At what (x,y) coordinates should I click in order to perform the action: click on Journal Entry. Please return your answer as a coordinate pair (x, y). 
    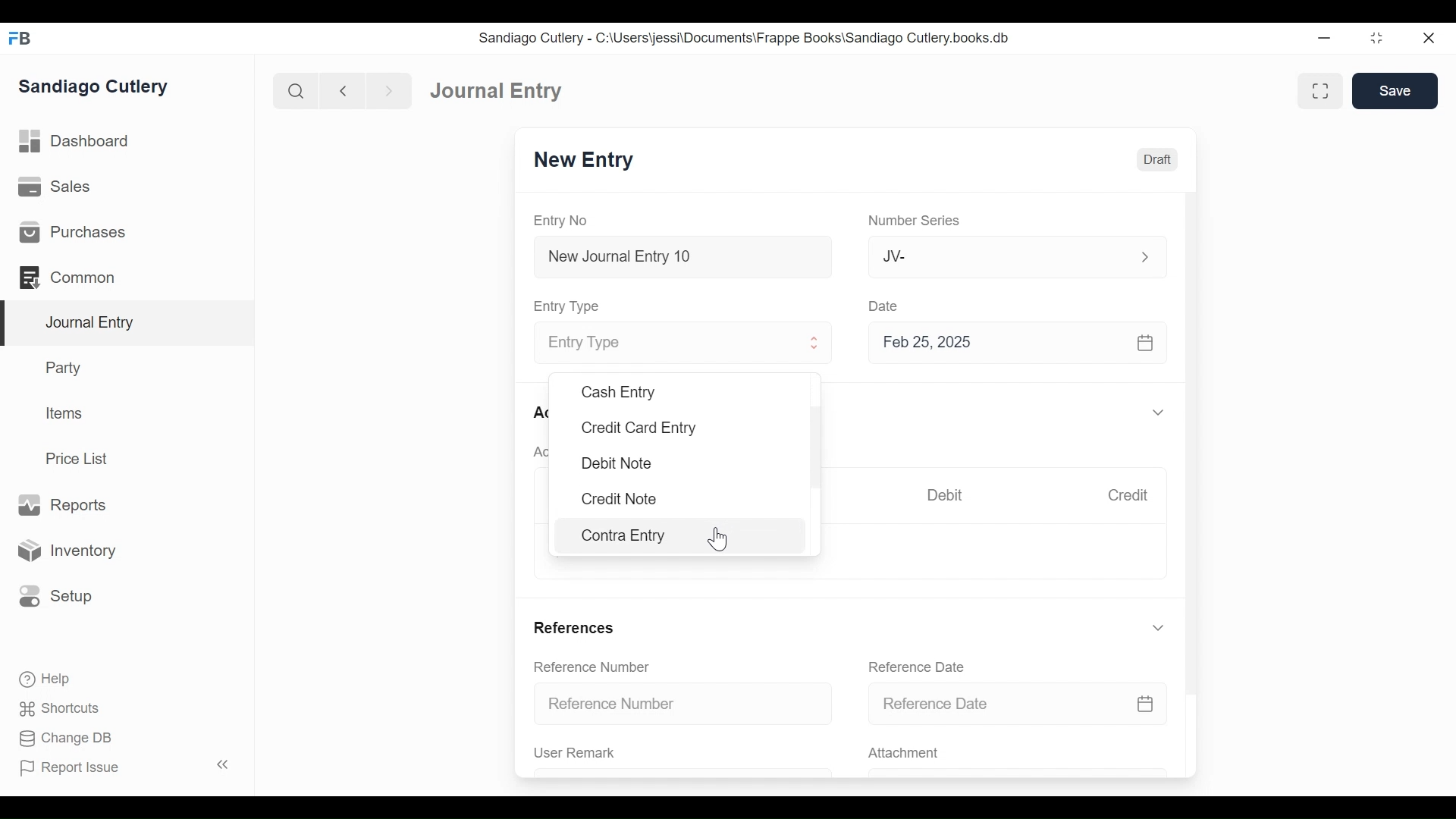
    Looking at the image, I should click on (128, 323).